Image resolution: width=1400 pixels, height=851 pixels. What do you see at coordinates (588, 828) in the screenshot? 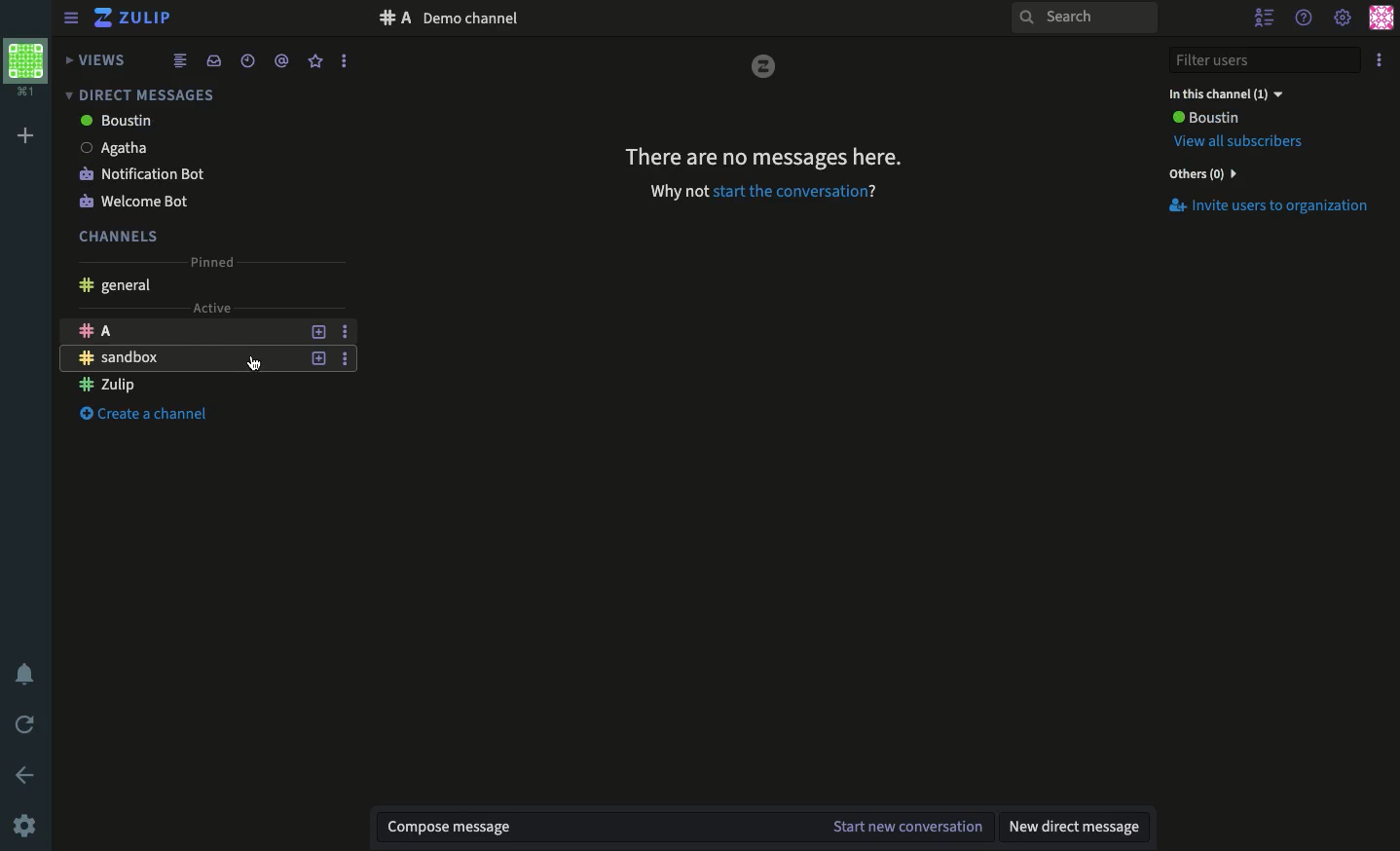
I see `Message` at bounding box center [588, 828].